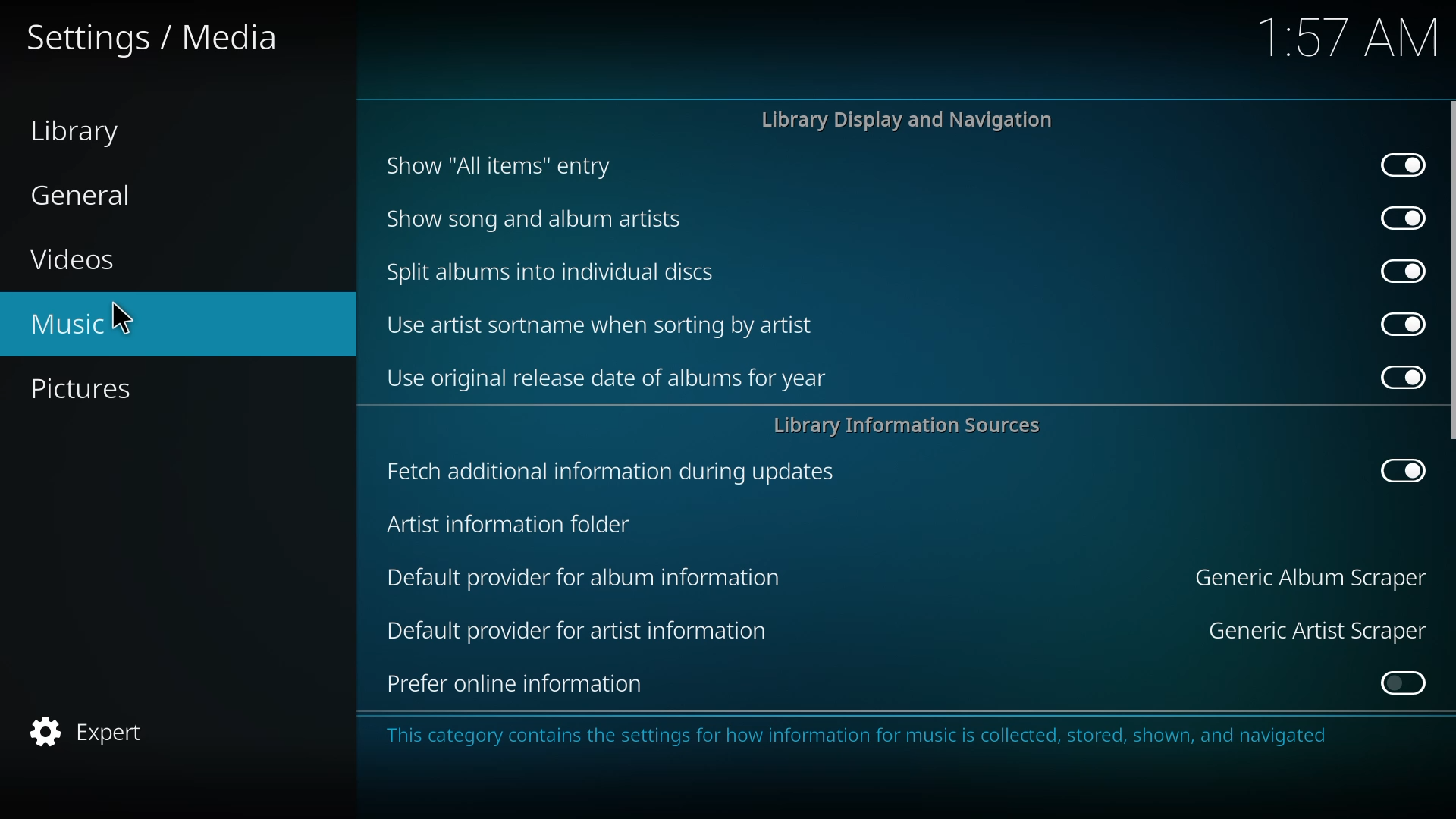 The width and height of the screenshot is (1456, 819). What do you see at coordinates (85, 133) in the screenshot?
I see `library` at bounding box center [85, 133].